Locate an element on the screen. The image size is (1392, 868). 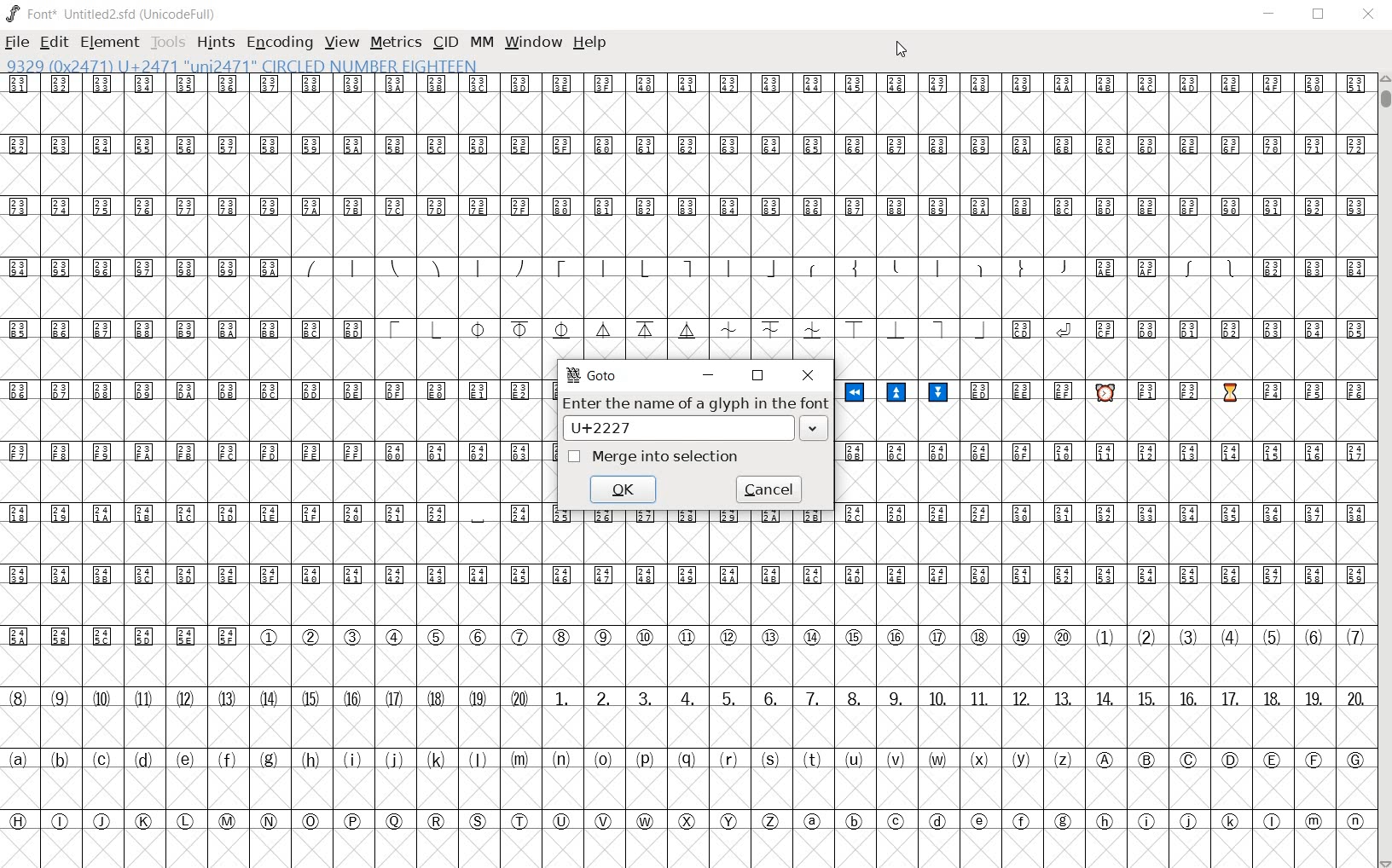
metrics is located at coordinates (396, 42).